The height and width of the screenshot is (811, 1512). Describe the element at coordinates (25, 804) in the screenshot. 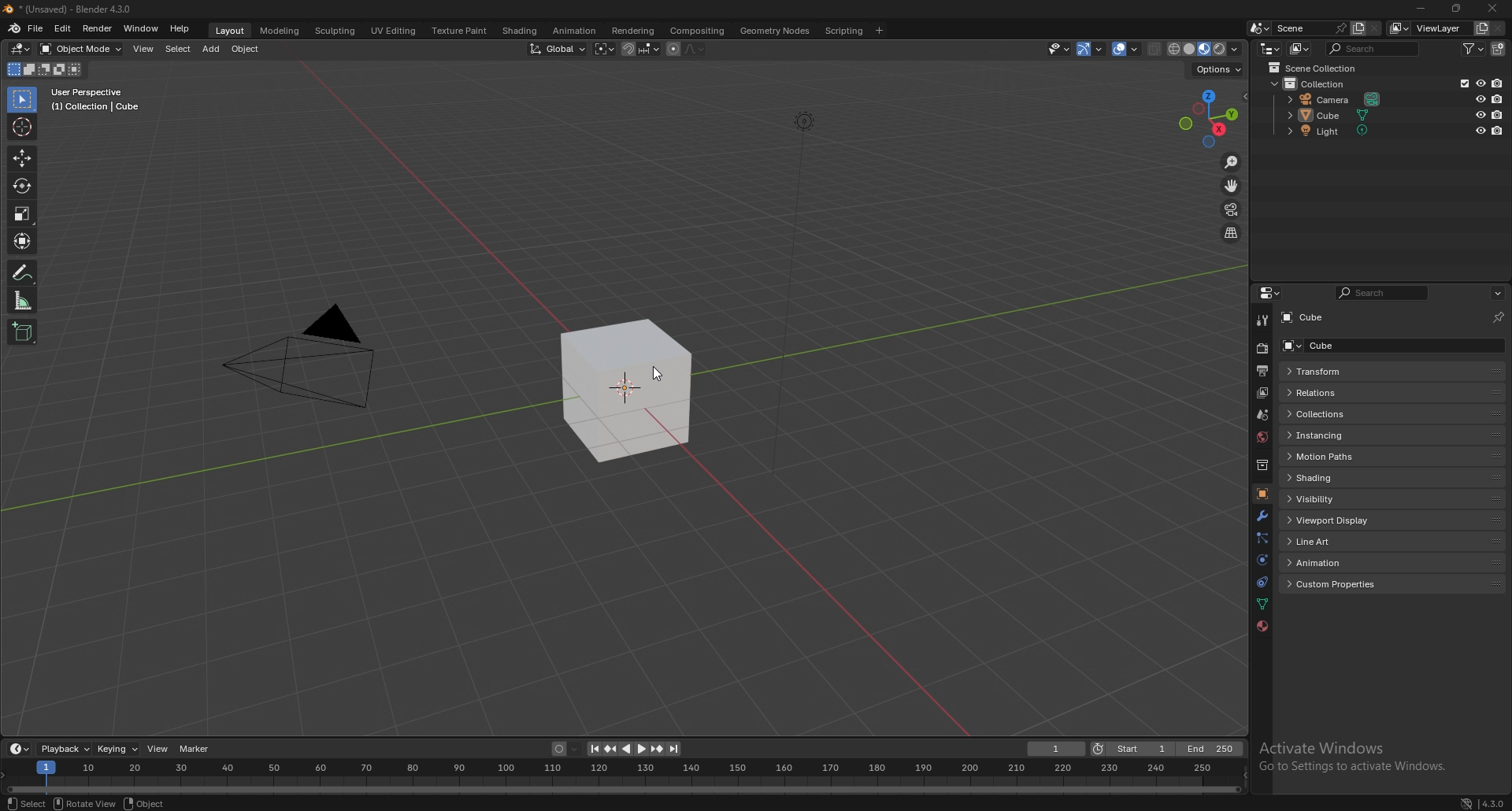

I see `select` at that location.